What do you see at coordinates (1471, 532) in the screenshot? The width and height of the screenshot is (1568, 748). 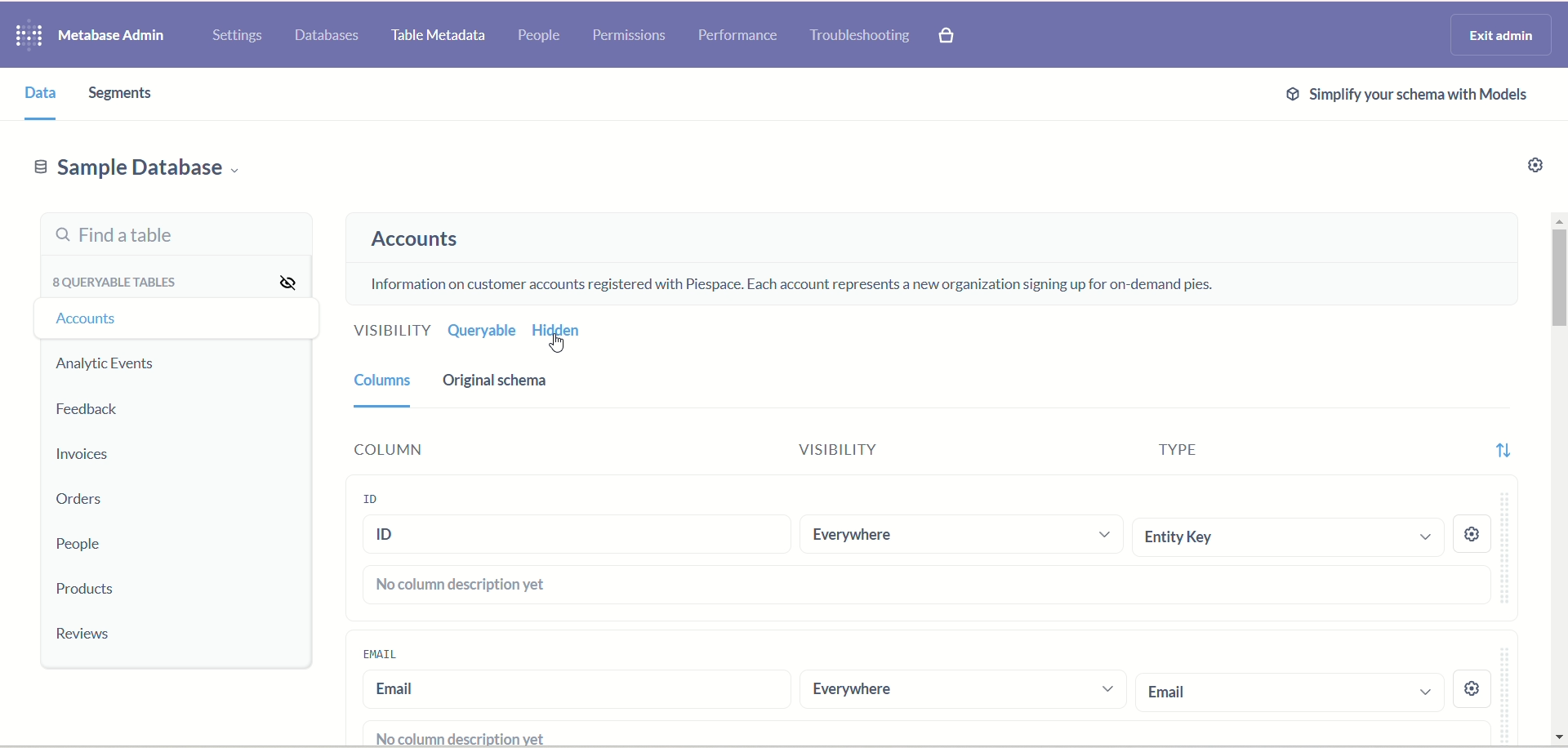 I see `ID settings` at bounding box center [1471, 532].